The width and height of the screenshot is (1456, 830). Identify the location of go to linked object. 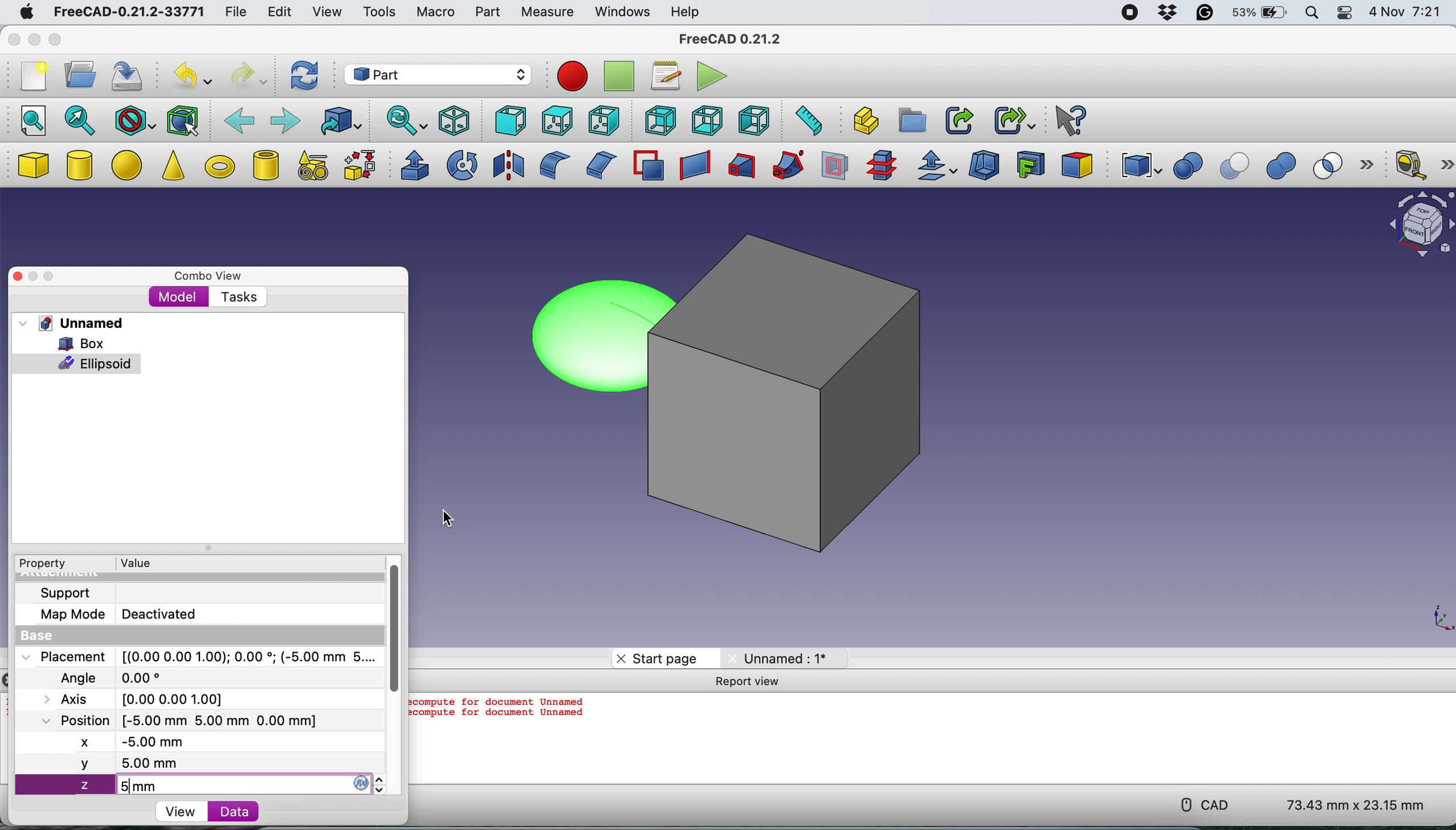
(340, 121).